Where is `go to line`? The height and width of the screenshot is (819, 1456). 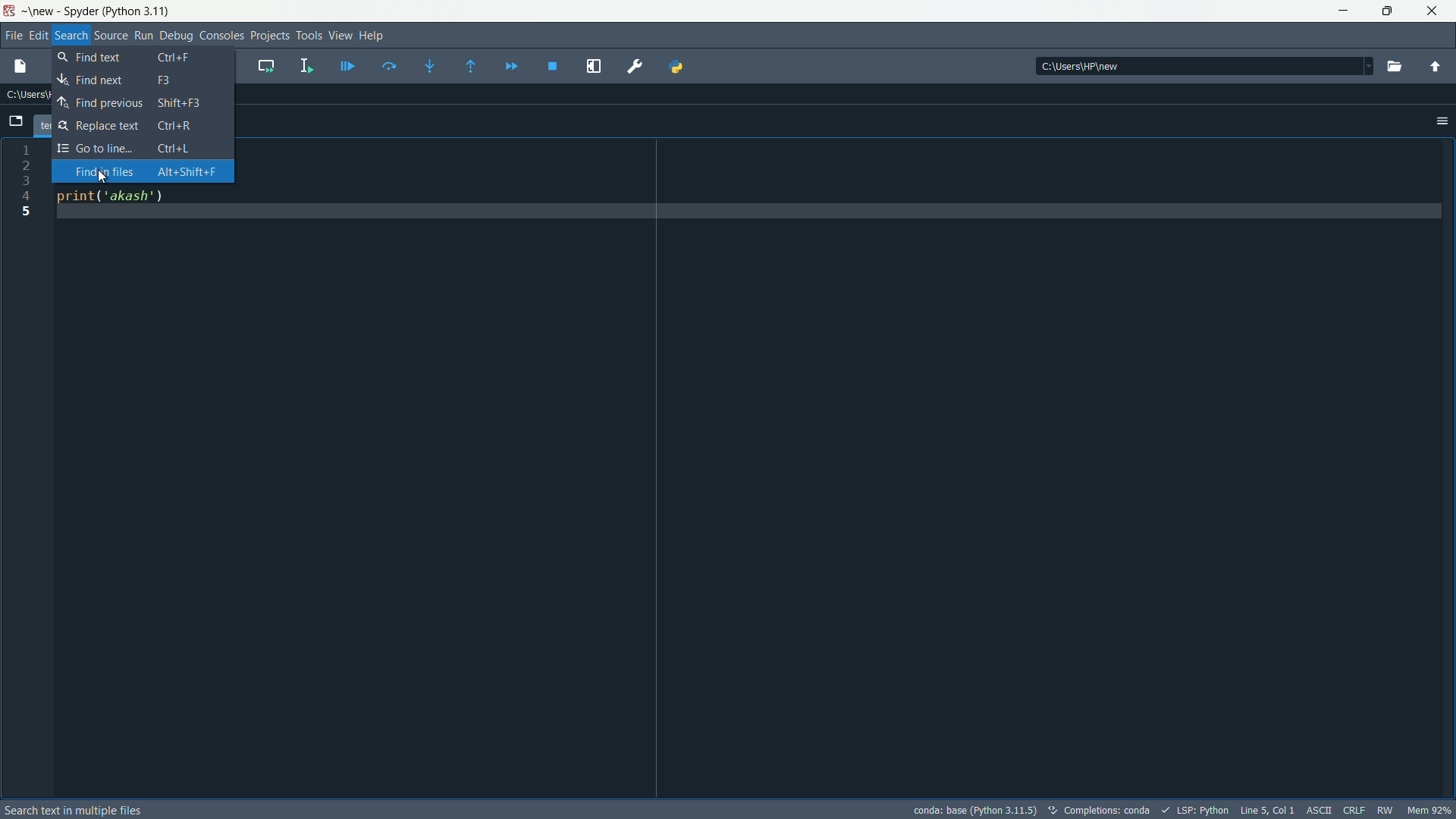
go to line is located at coordinates (143, 147).